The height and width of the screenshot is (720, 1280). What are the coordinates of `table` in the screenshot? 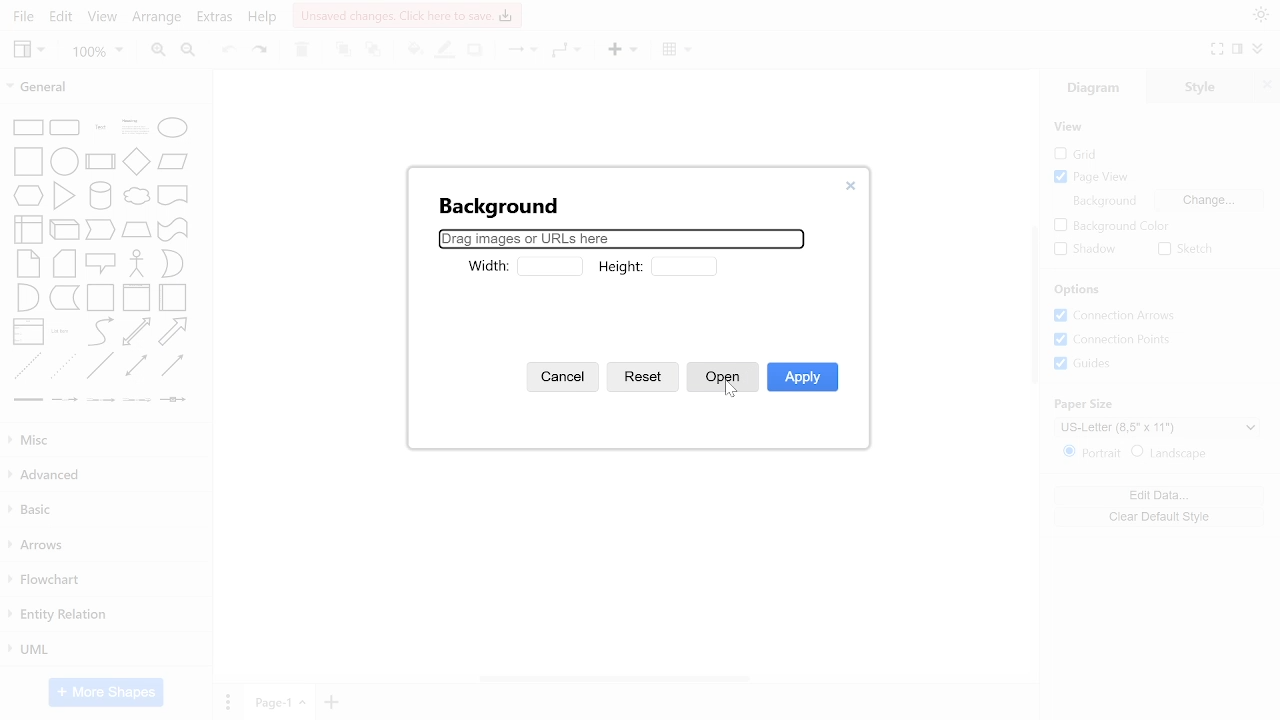 It's located at (676, 50).